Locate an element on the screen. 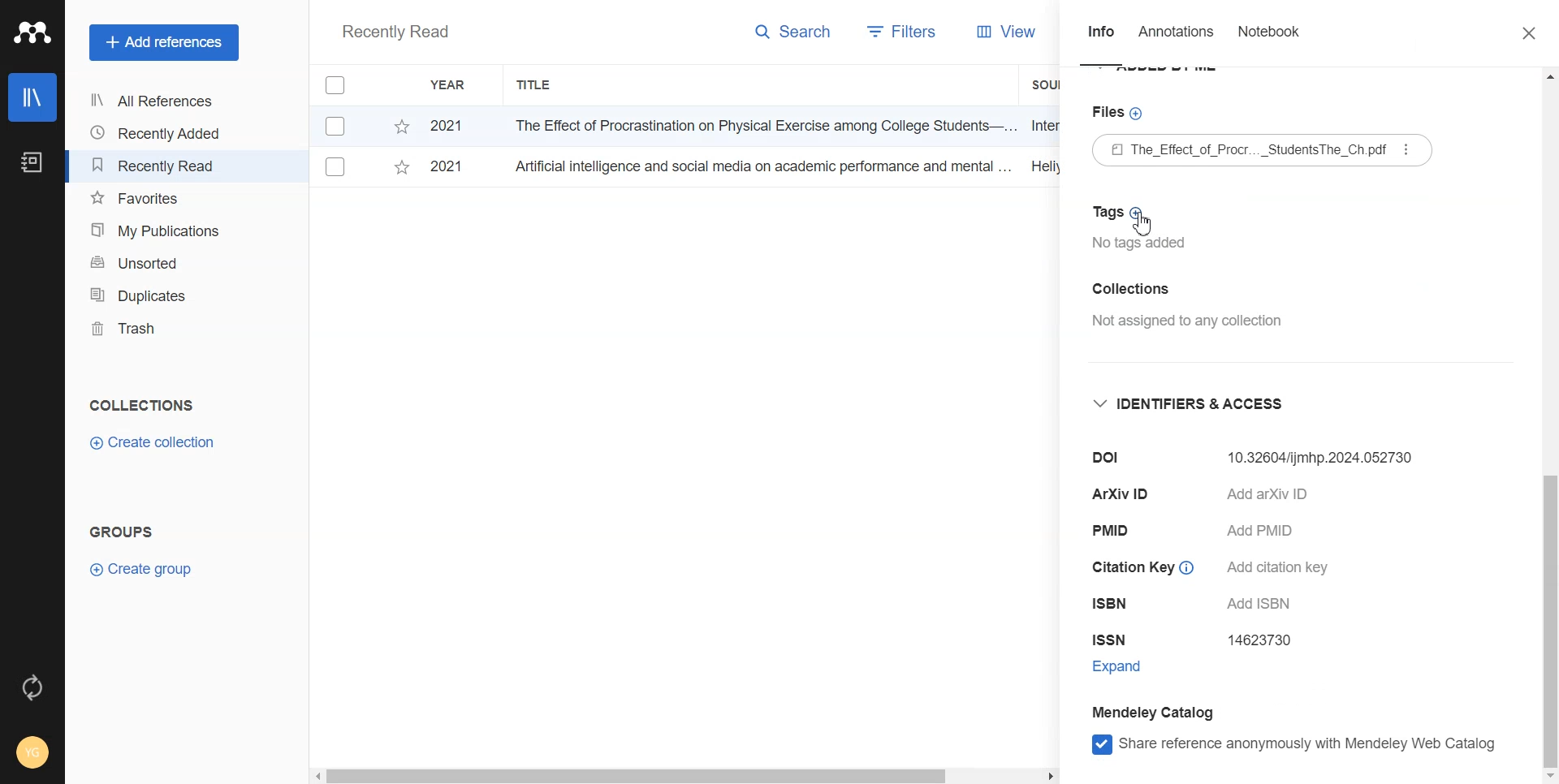  Auto sync is located at coordinates (30, 687).